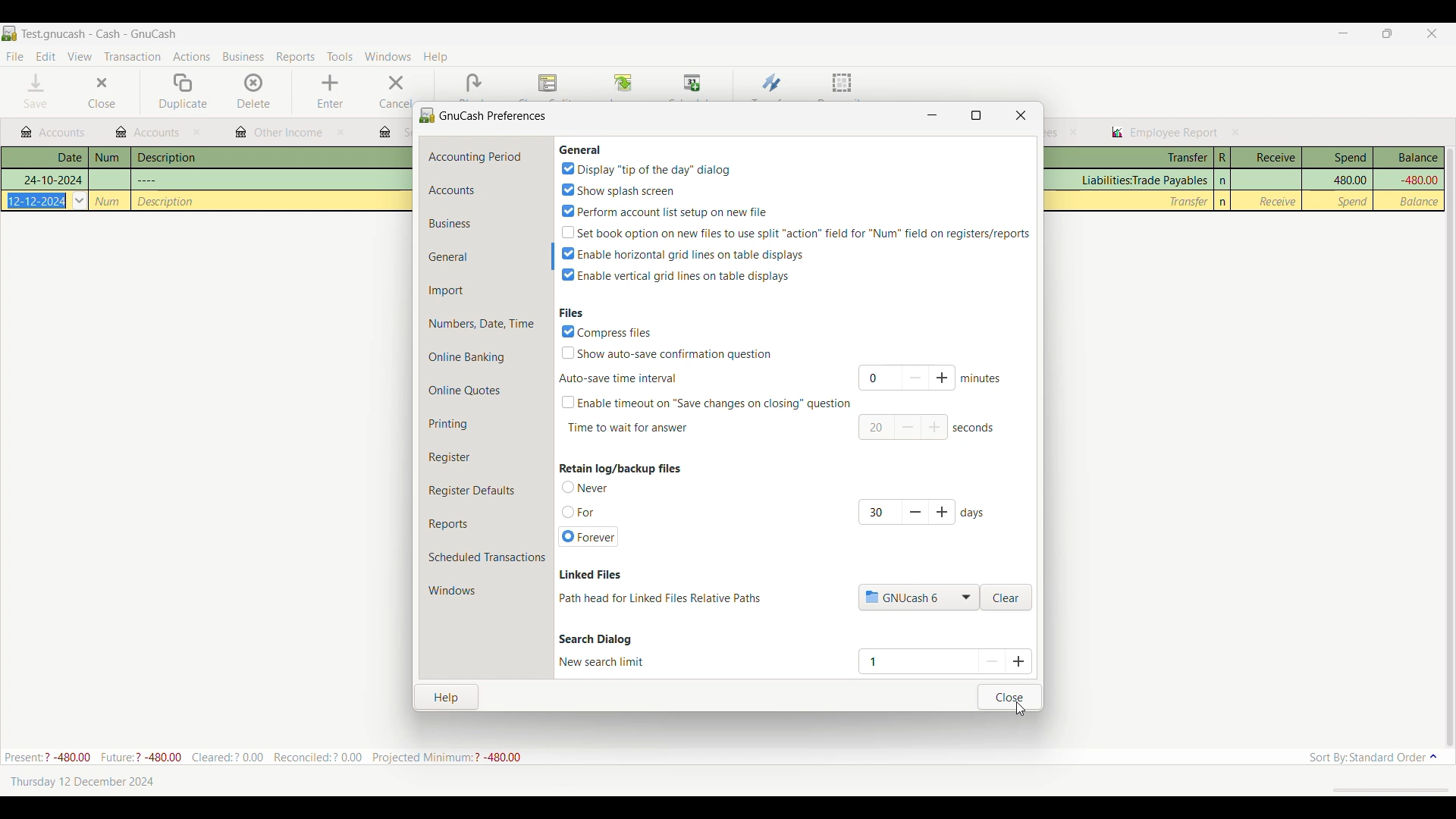 This screenshot has height=819, width=1456. What do you see at coordinates (944, 378) in the screenshot?
I see `add` at bounding box center [944, 378].